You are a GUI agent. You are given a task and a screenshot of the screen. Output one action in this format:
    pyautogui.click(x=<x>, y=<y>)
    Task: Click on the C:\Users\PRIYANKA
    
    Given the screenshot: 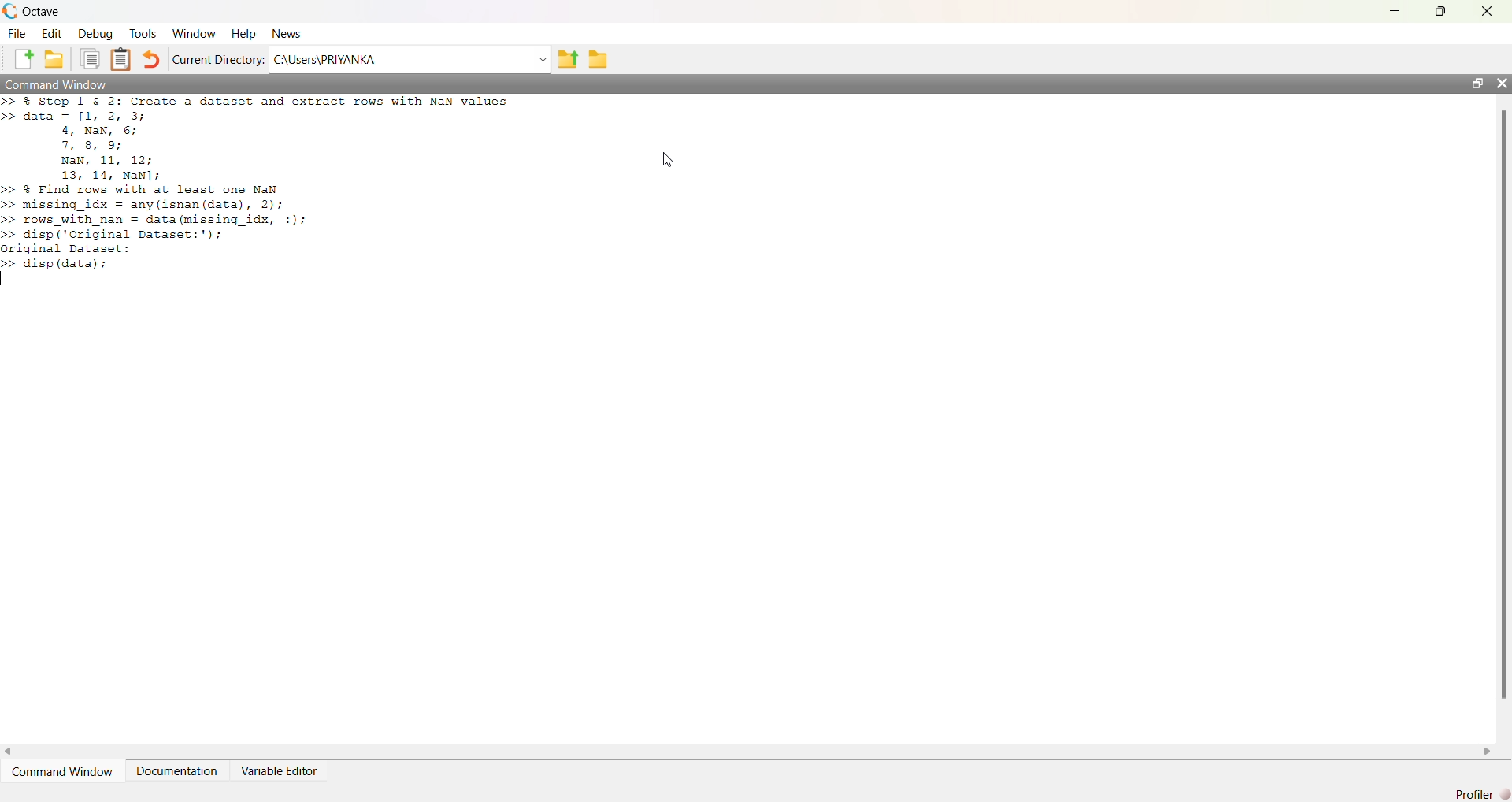 What is the action you would take?
    pyautogui.click(x=324, y=59)
    